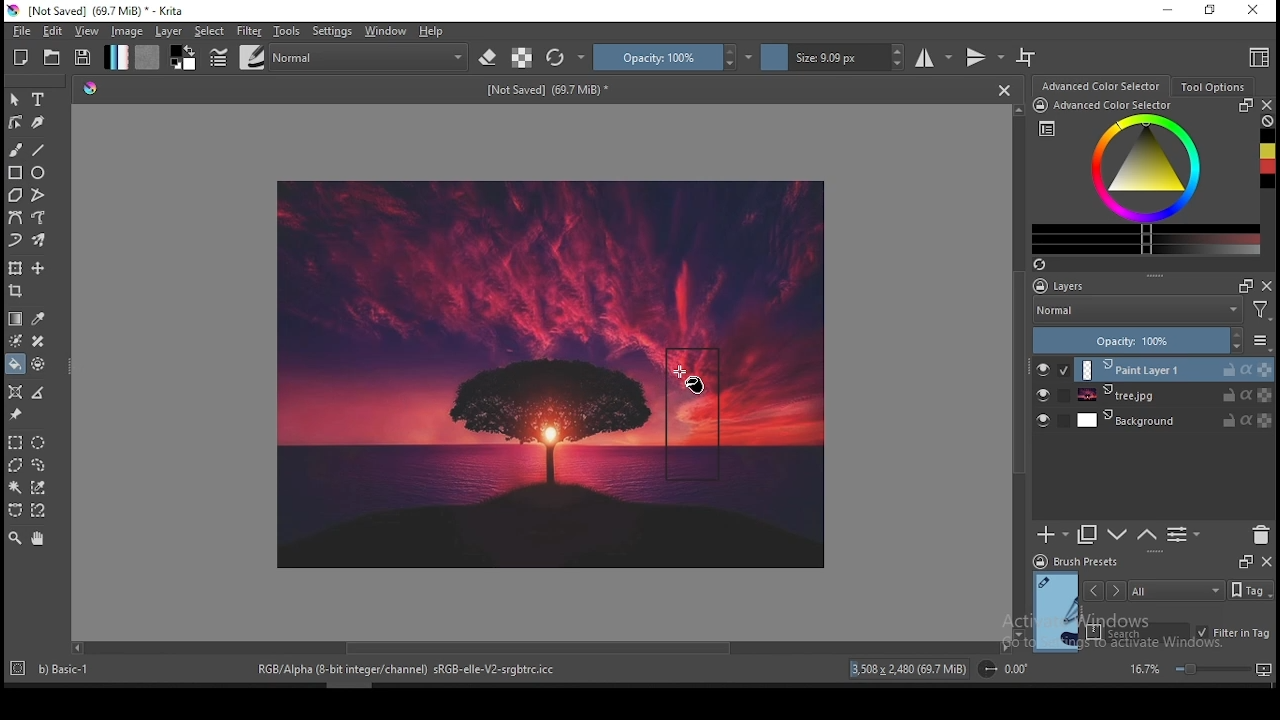 This screenshot has width=1280, height=720. What do you see at coordinates (16, 415) in the screenshot?
I see `reference images tool` at bounding box center [16, 415].